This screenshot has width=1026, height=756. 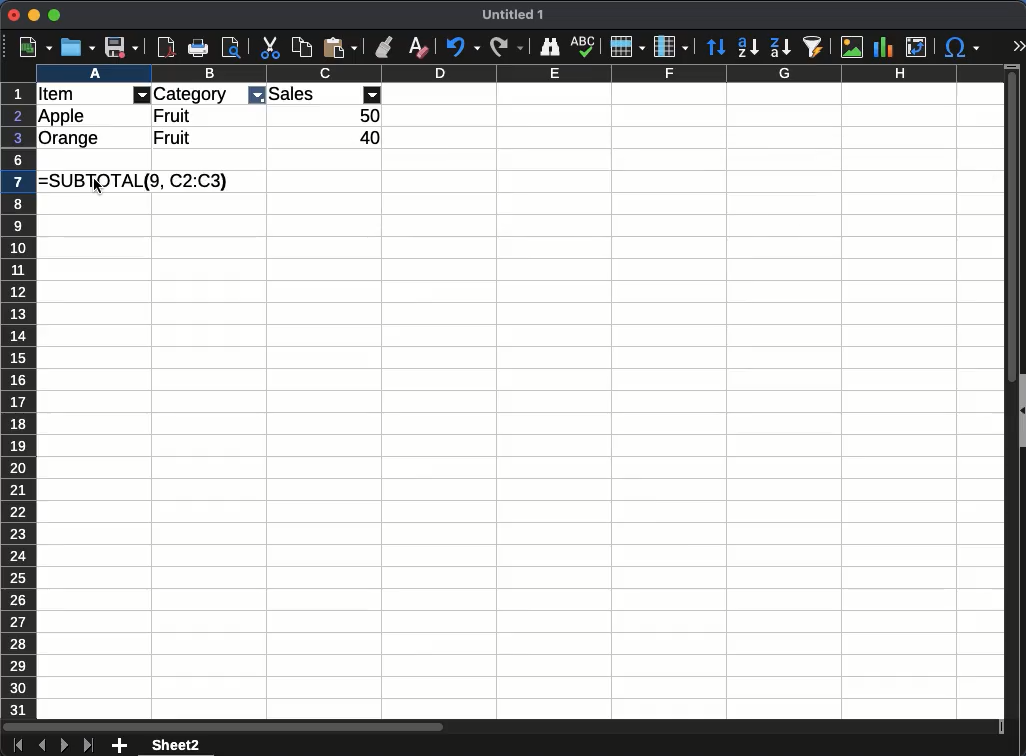 What do you see at coordinates (79, 47) in the screenshot?
I see `open` at bounding box center [79, 47].